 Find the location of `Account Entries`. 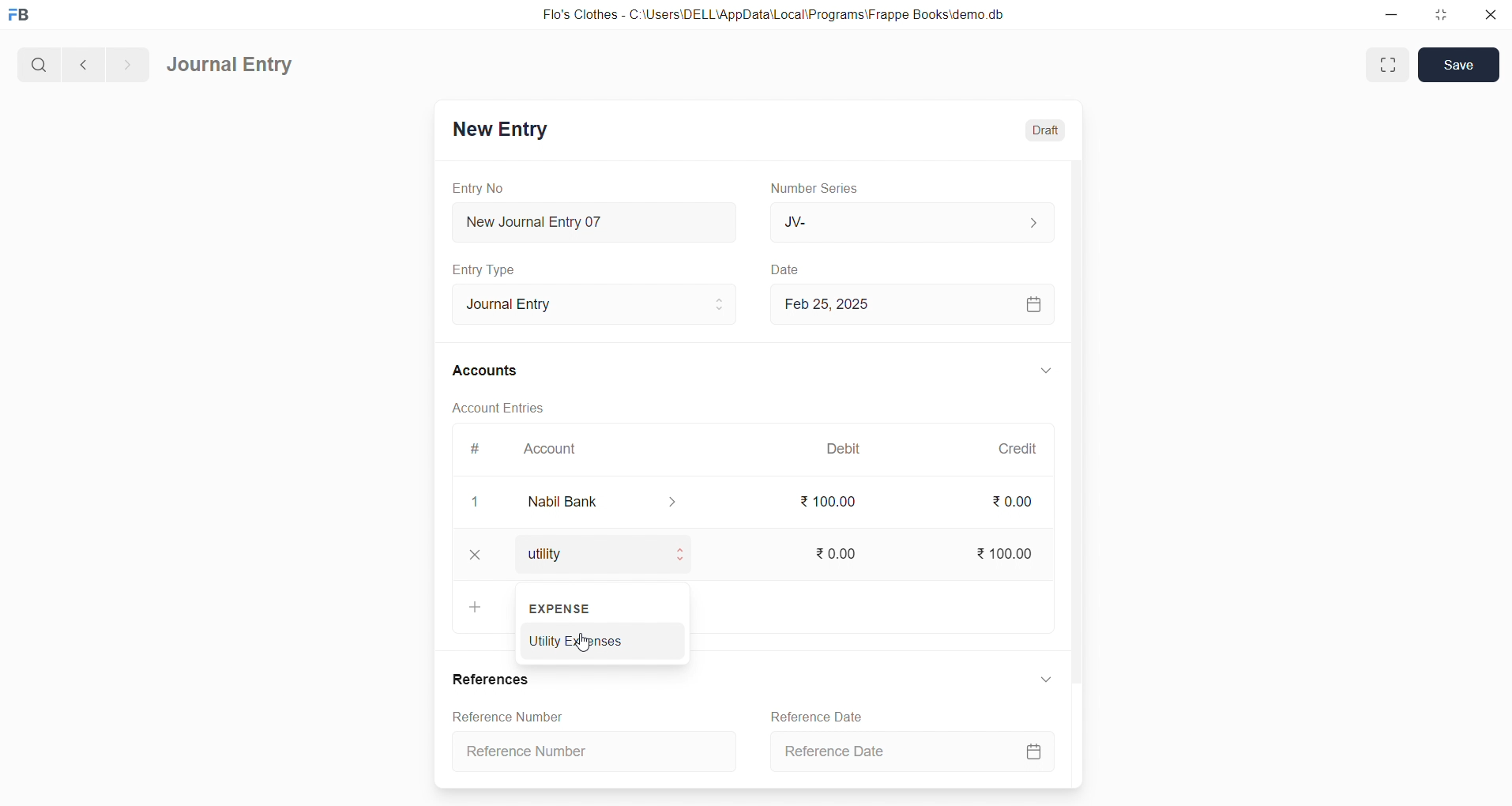

Account Entries is located at coordinates (485, 407).